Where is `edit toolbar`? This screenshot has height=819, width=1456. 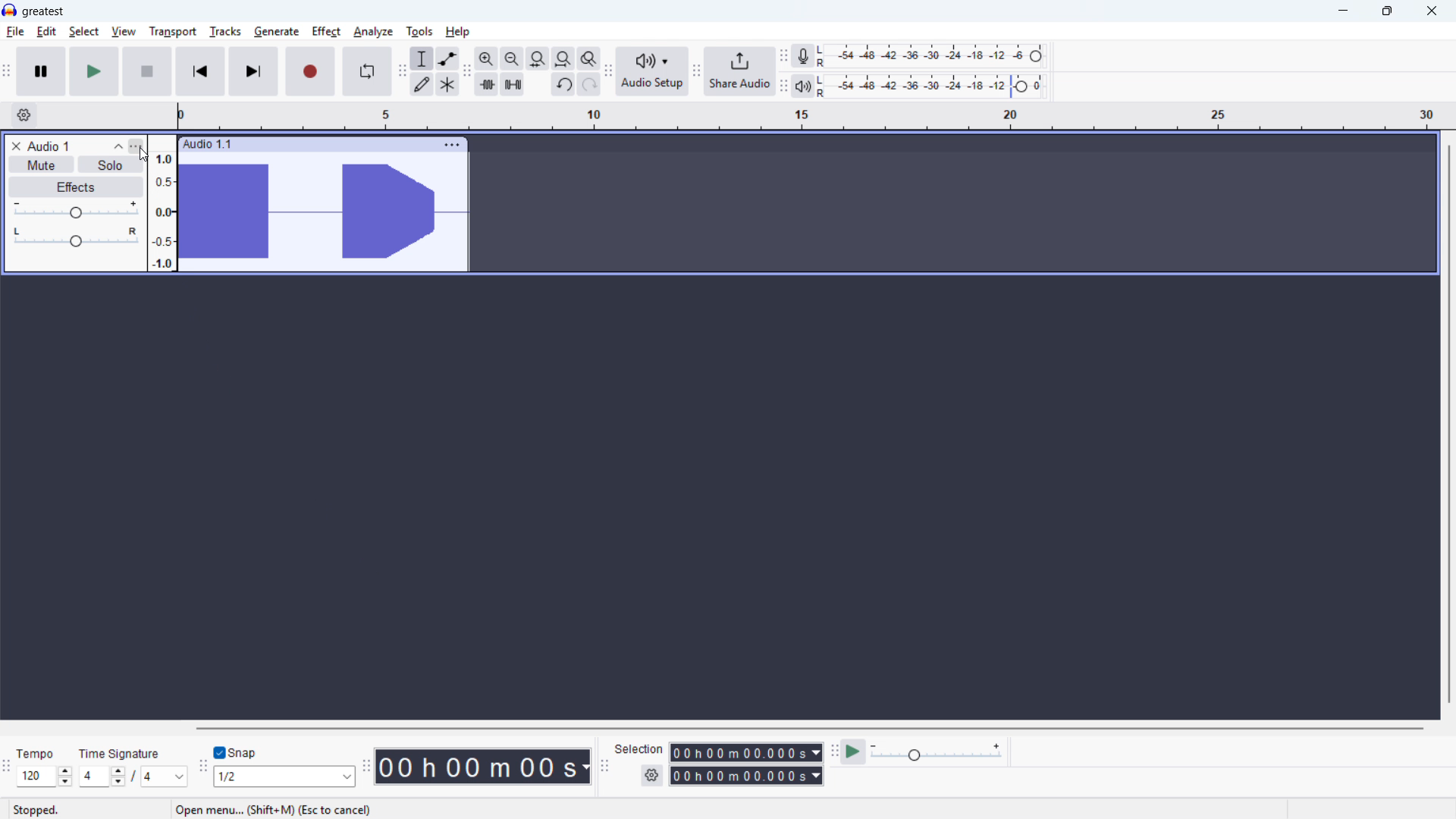 edit toolbar is located at coordinates (467, 73).